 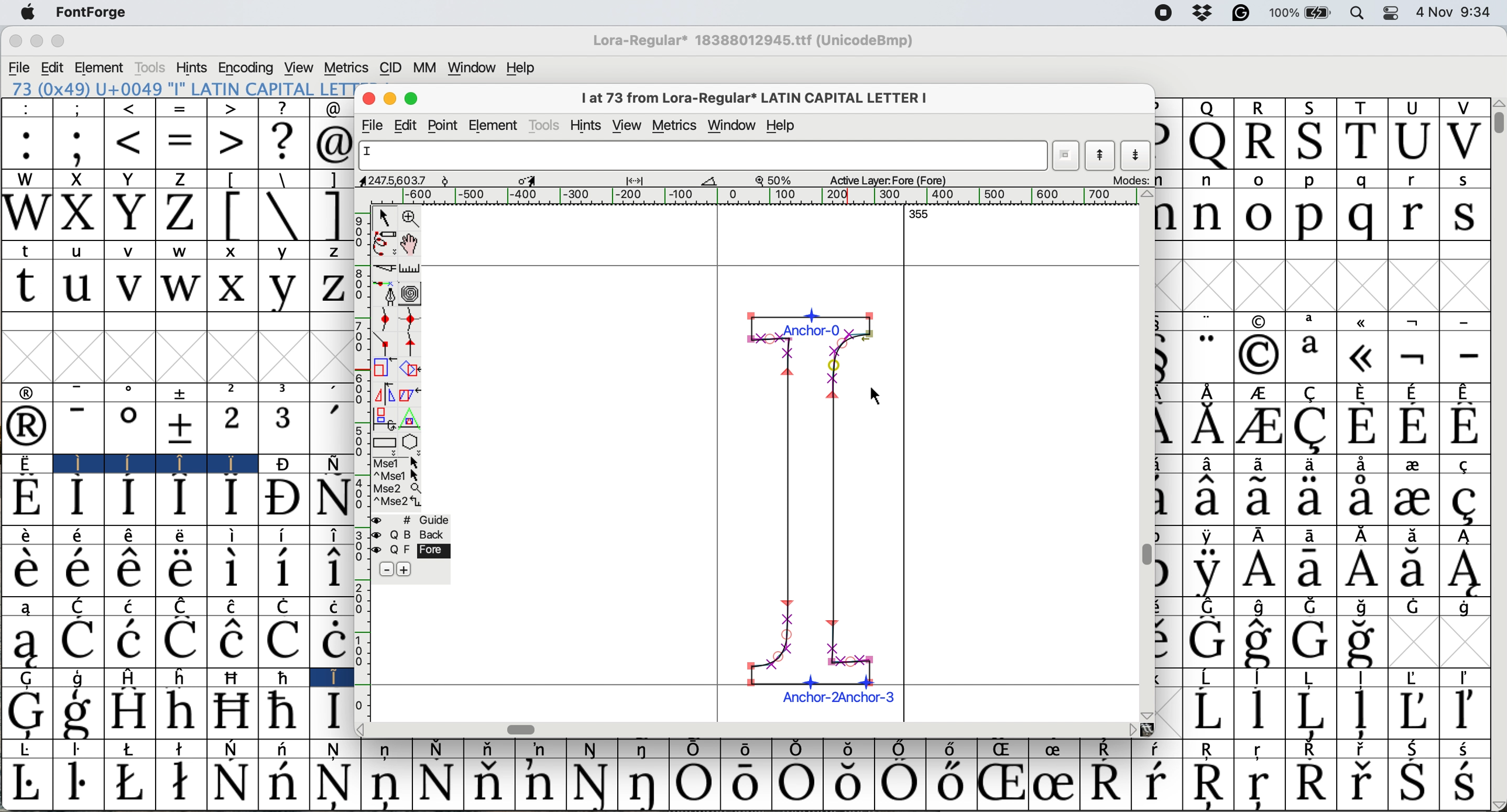 I want to click on , so click(x=380, y=550).